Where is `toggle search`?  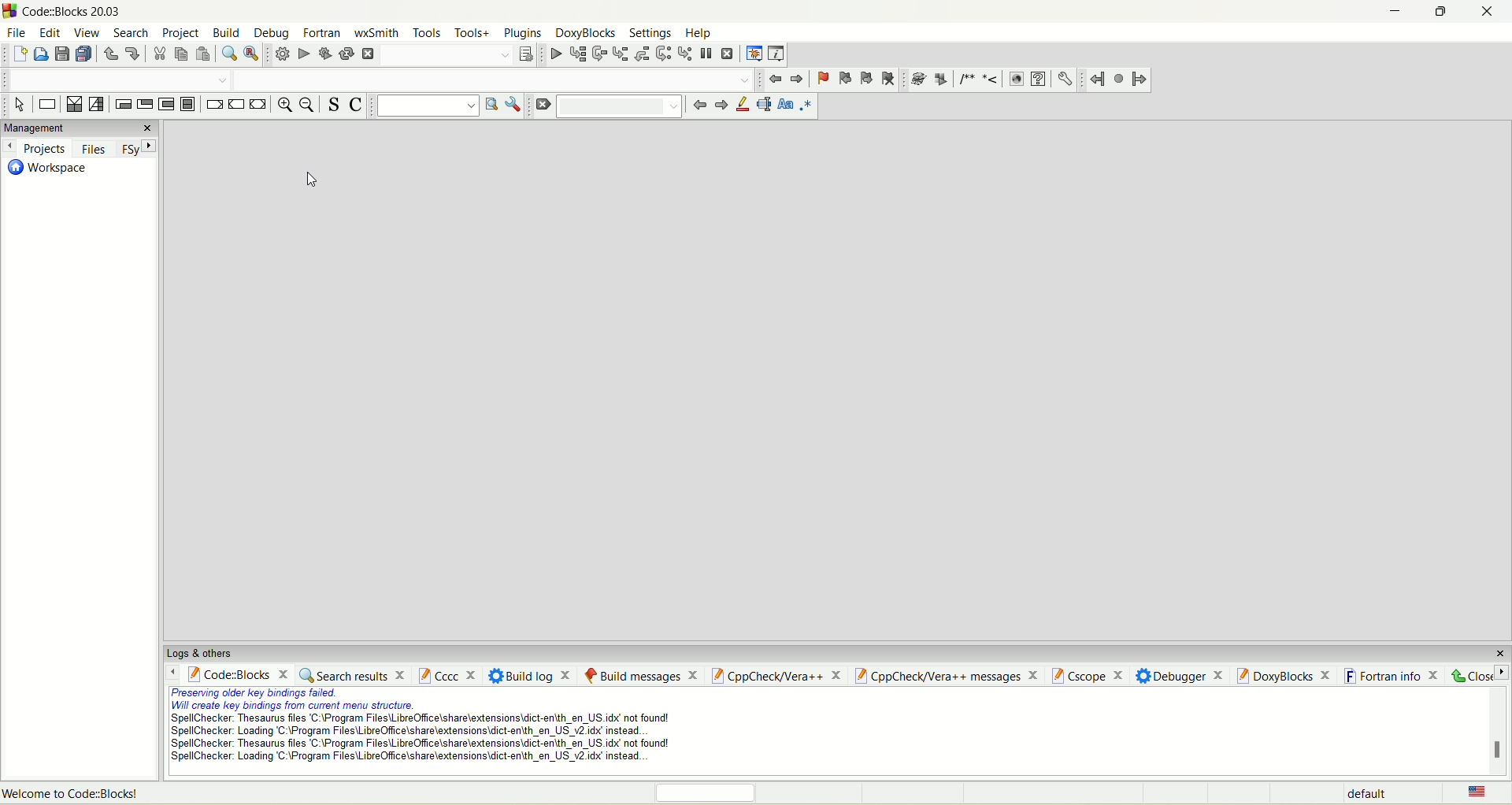 toggle search is located at coordinates (337, 106).